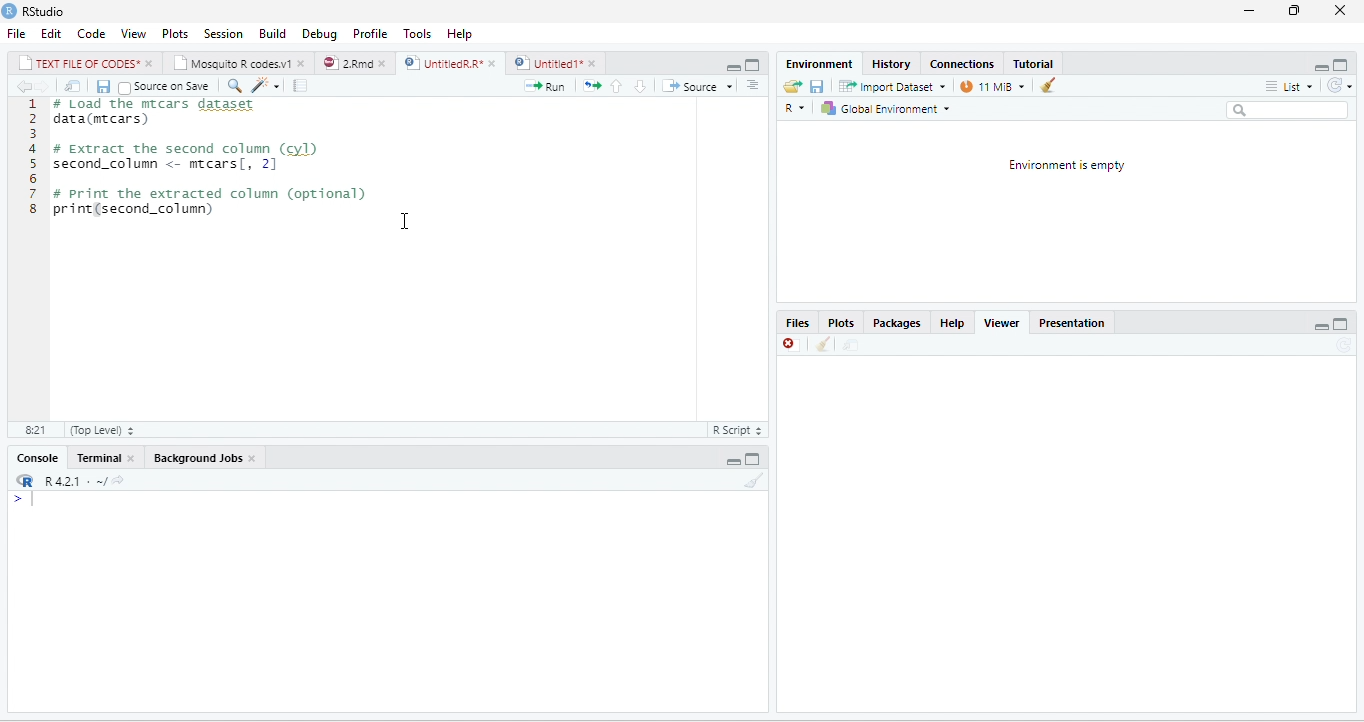 The height and width of the screenshot is (722, 1364). I want to click on Debug, so click(317, 32).